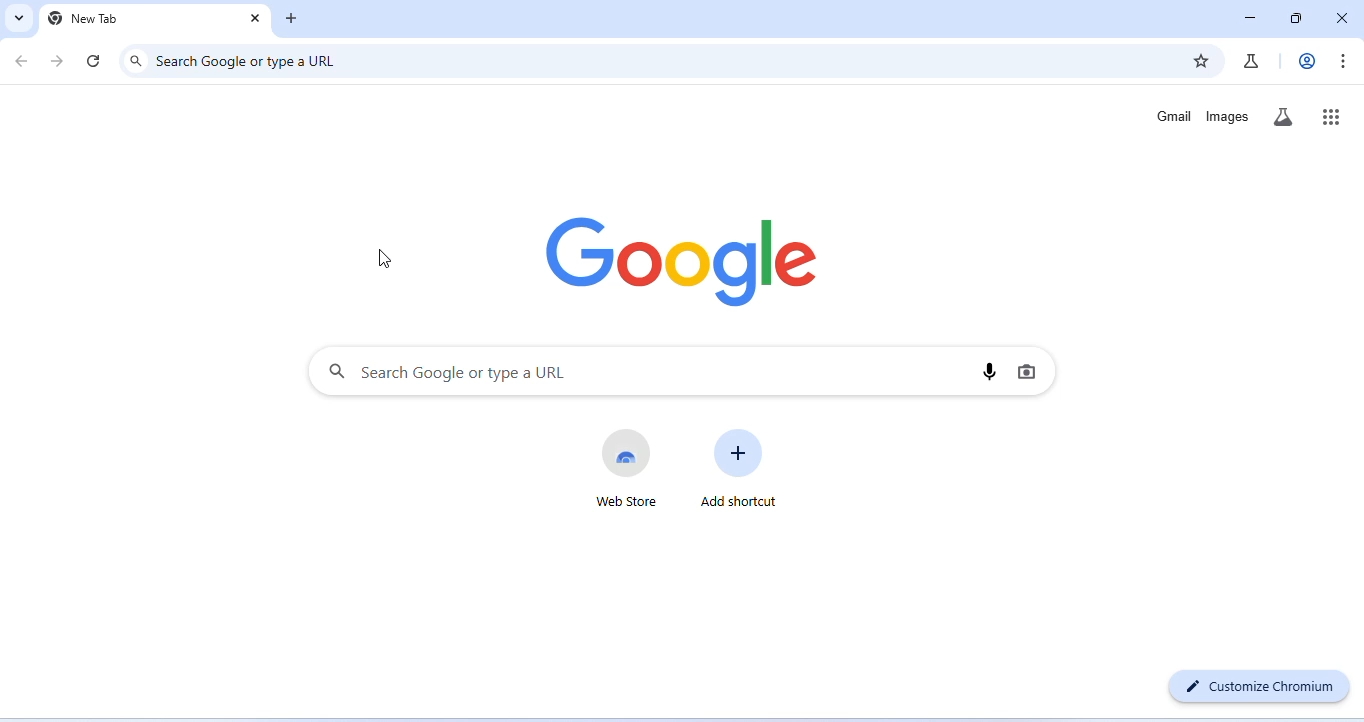  Describe the element at coordinates (1201, 61) in the screenshot. I see `bookmark` at that location.